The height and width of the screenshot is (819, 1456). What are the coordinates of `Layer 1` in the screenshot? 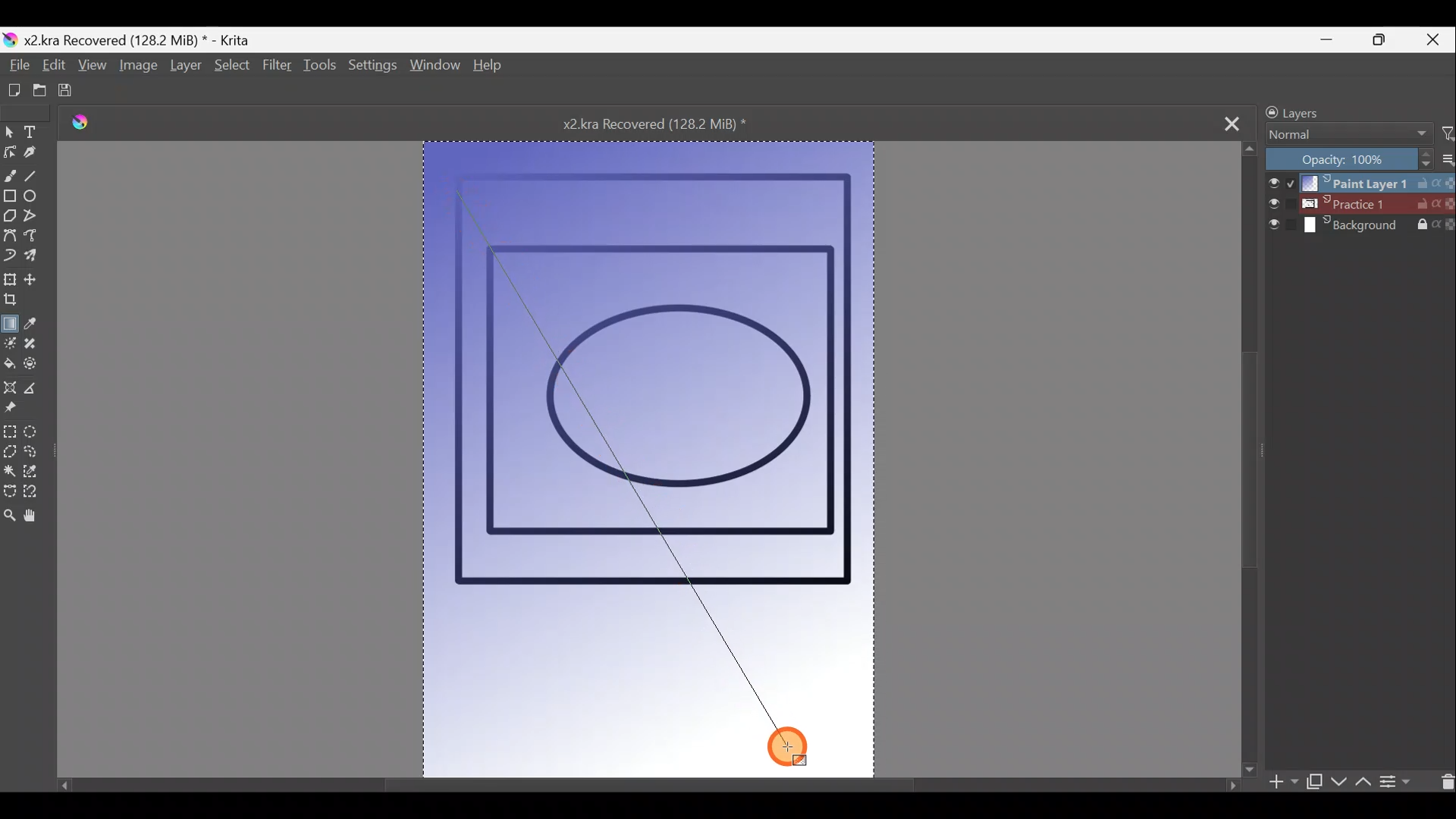 It's located at (1357, 181).